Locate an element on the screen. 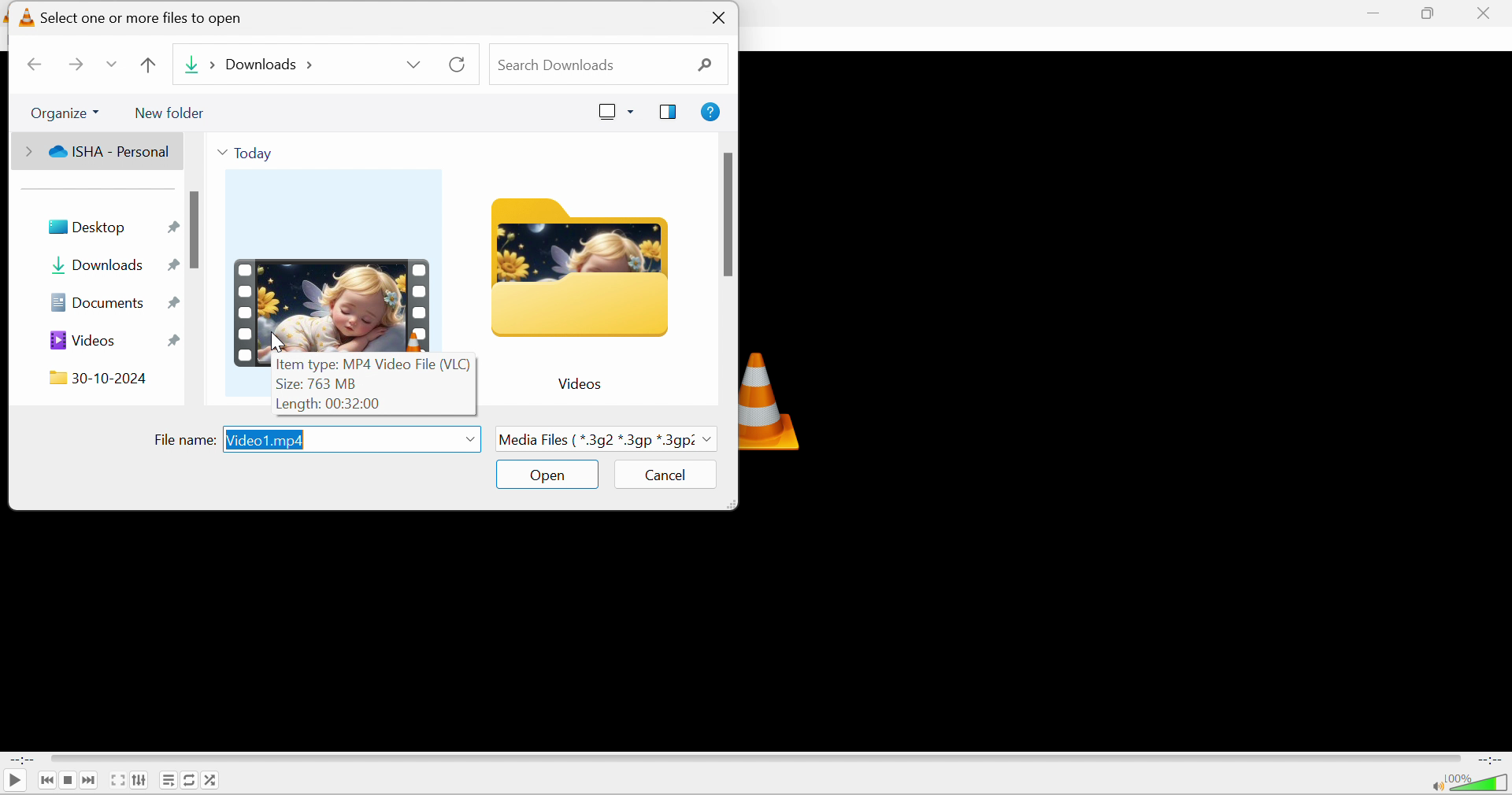 Image resolution: width=1512 pixels, height=795 pixels. Size: 763 MB is located at coordinates (315, 383).